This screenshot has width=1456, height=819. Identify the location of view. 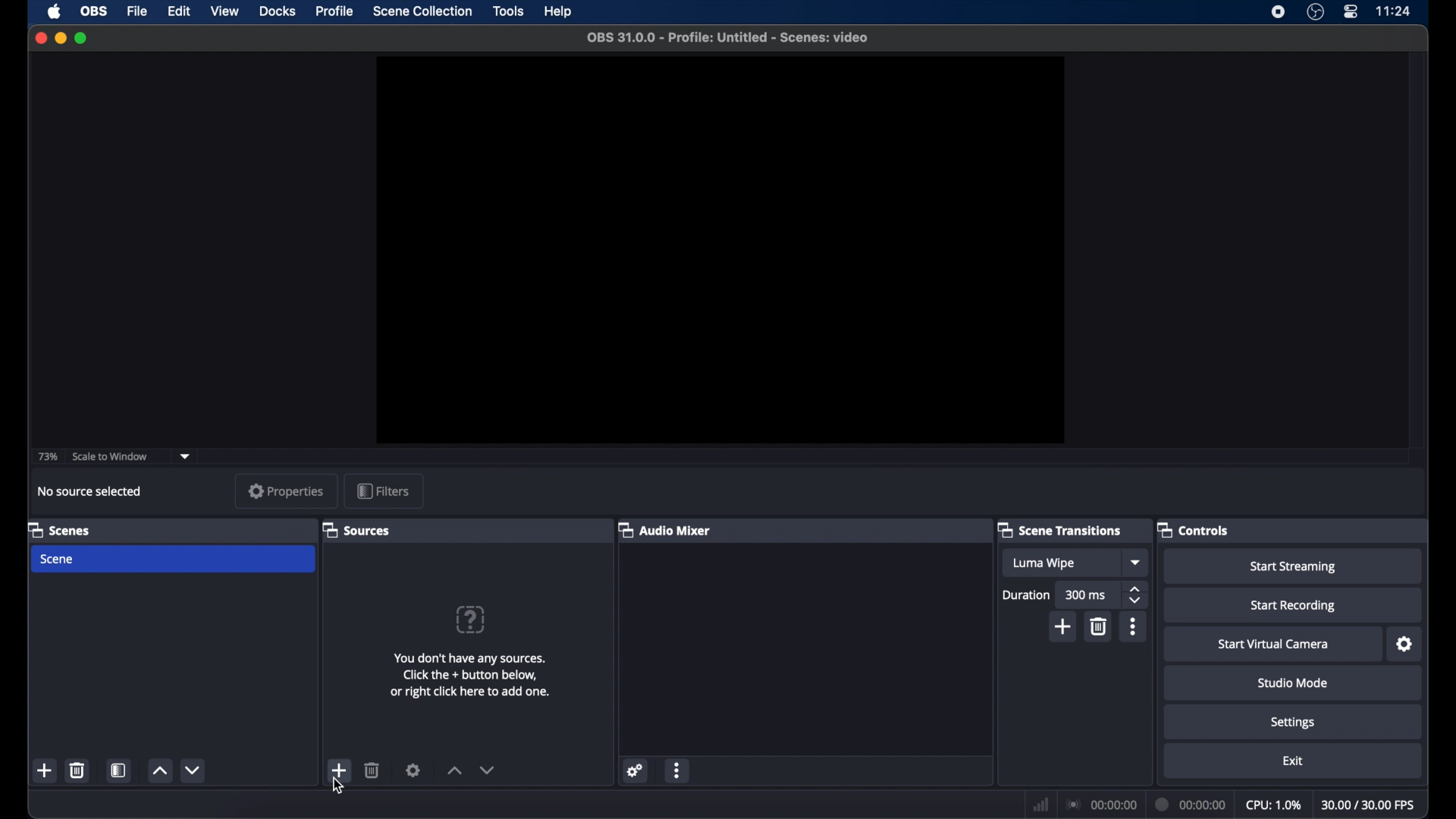
(226, 11).